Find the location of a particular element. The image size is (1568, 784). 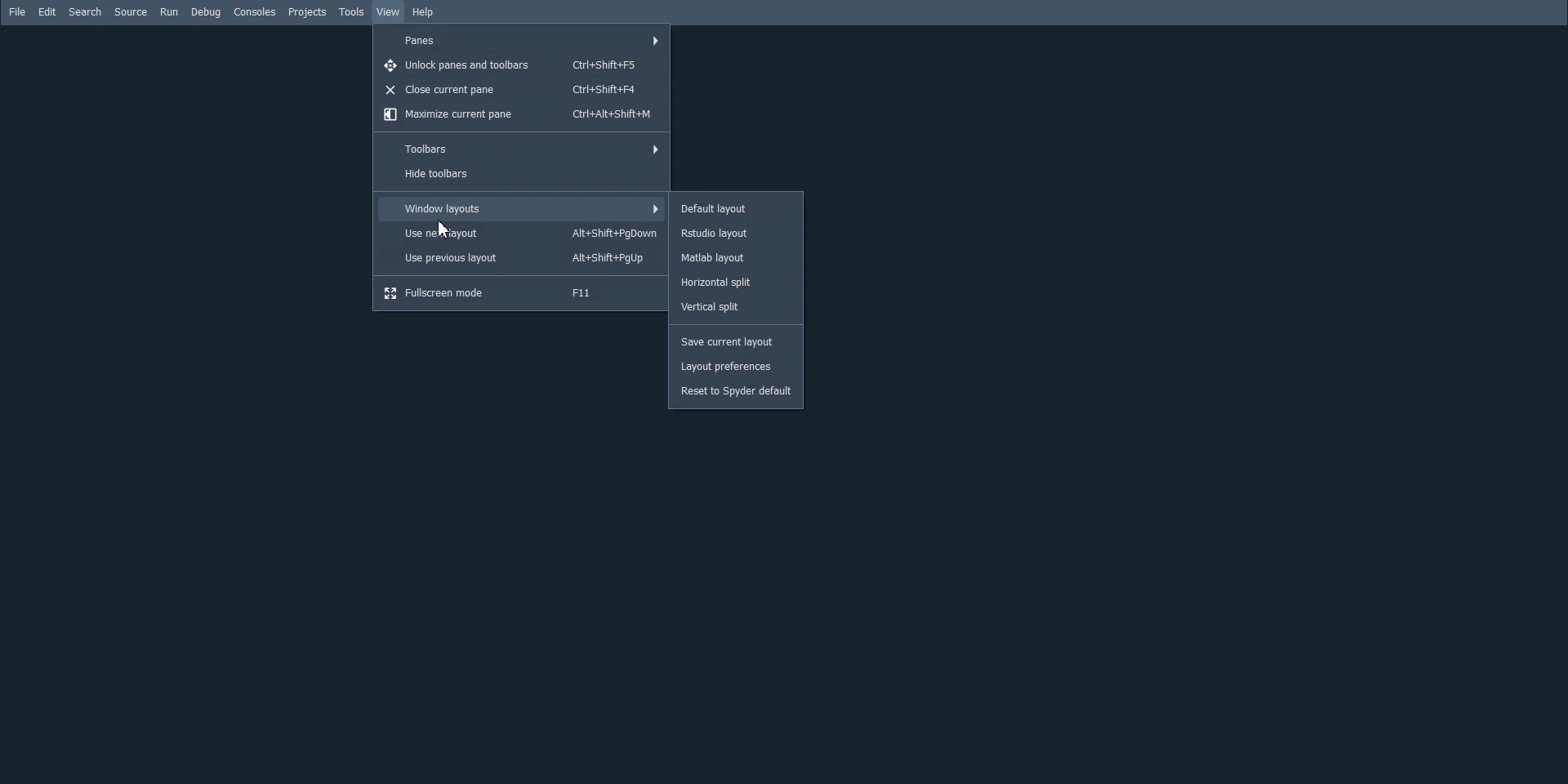

Debug is located at coordinates (206, 12).